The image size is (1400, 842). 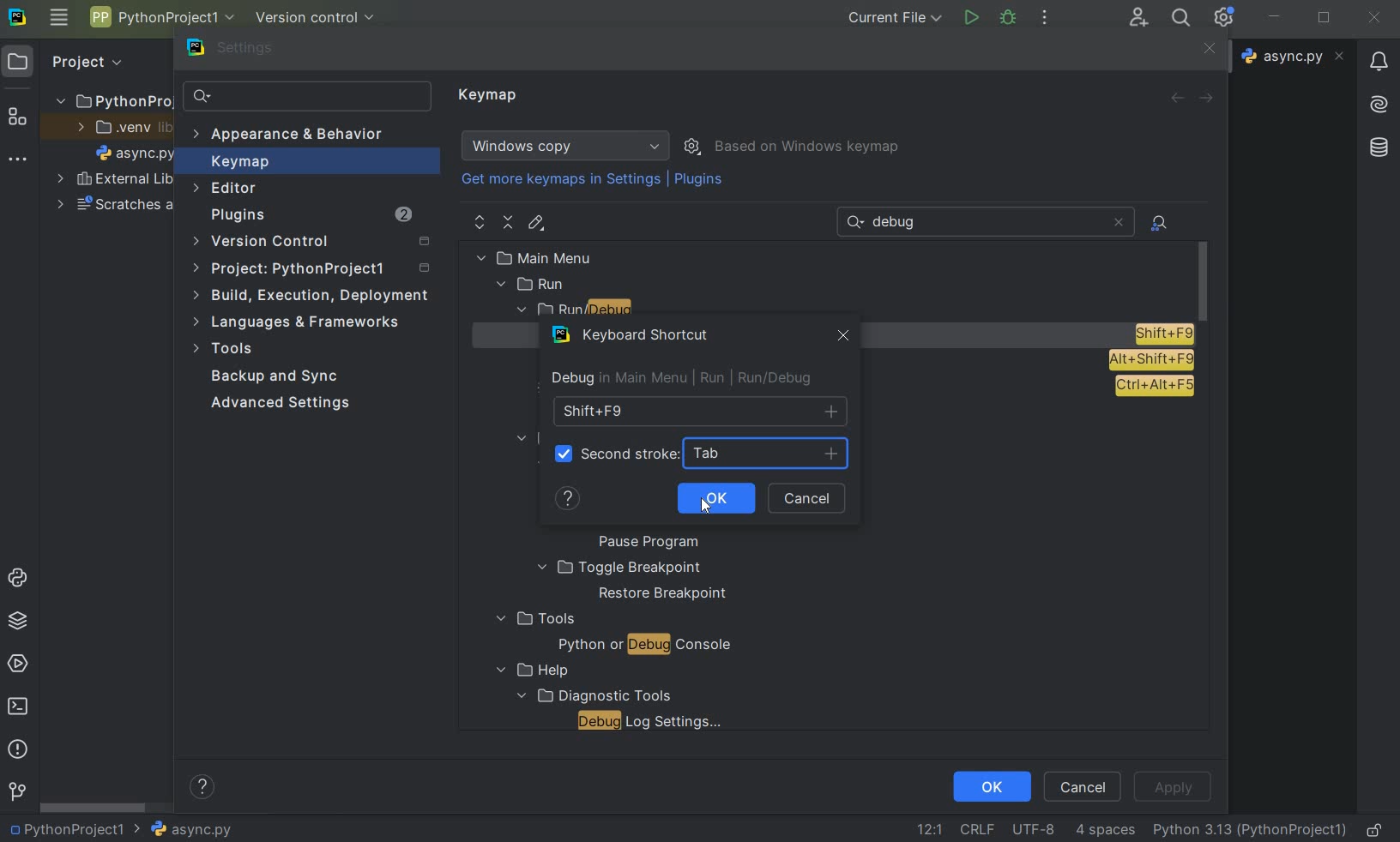 I want to click on Project, so click(x=85, y=60).